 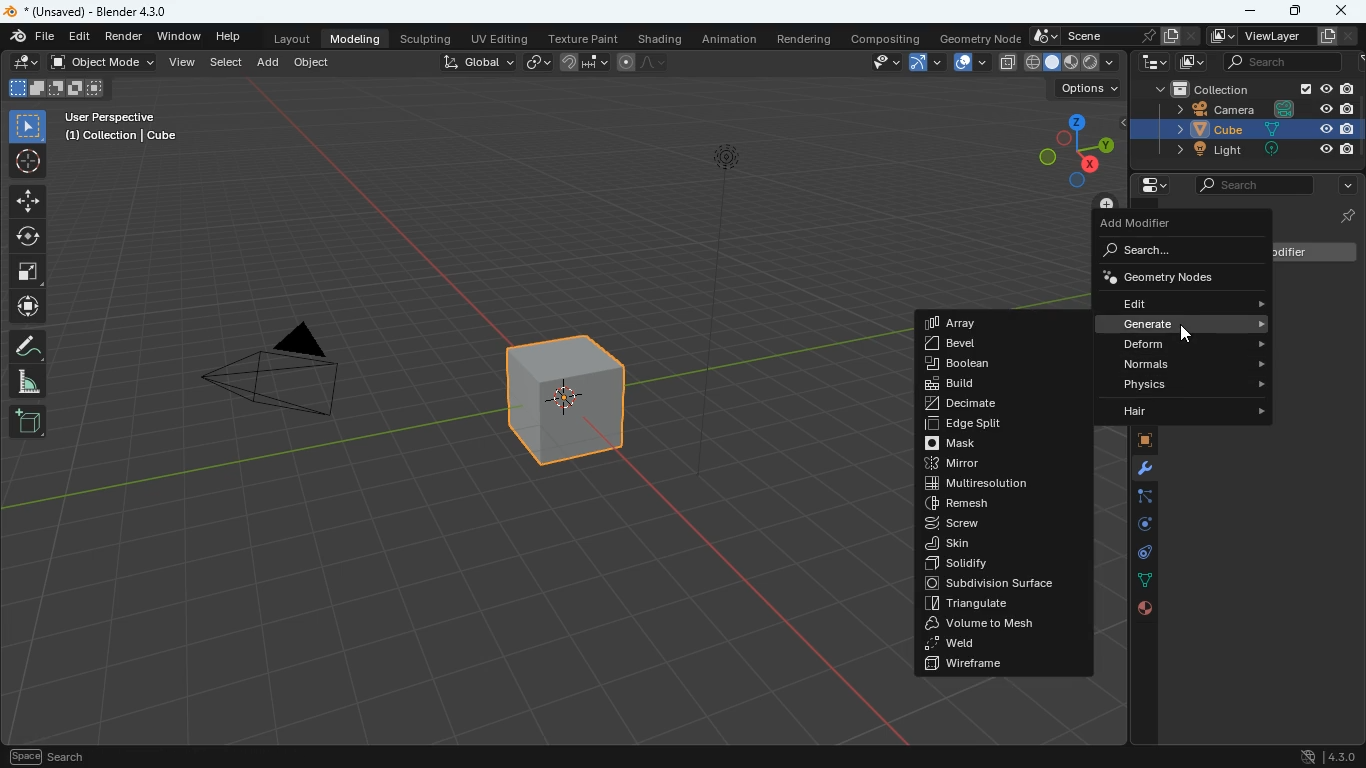 I want to click on edge split, so click(x=998, y=426).